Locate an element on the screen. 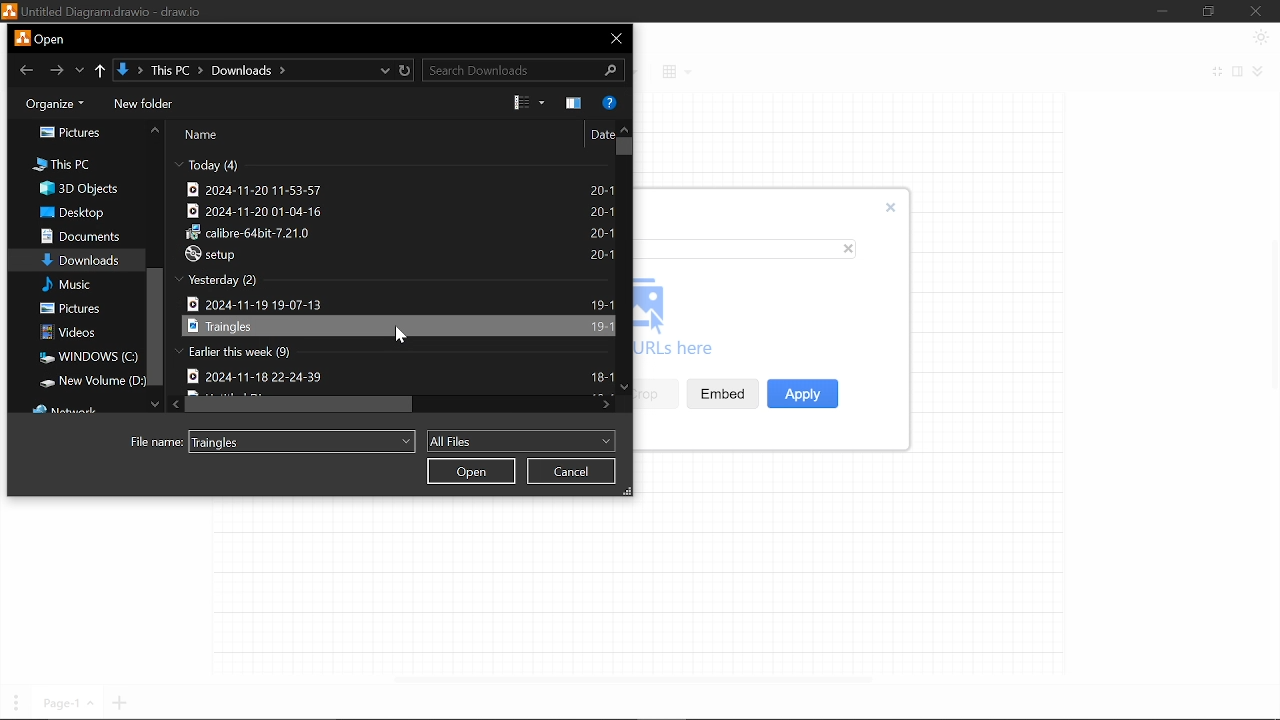 The width and height of the screenshot is (1280, 720). Up to is located at coordinates (100, 71).